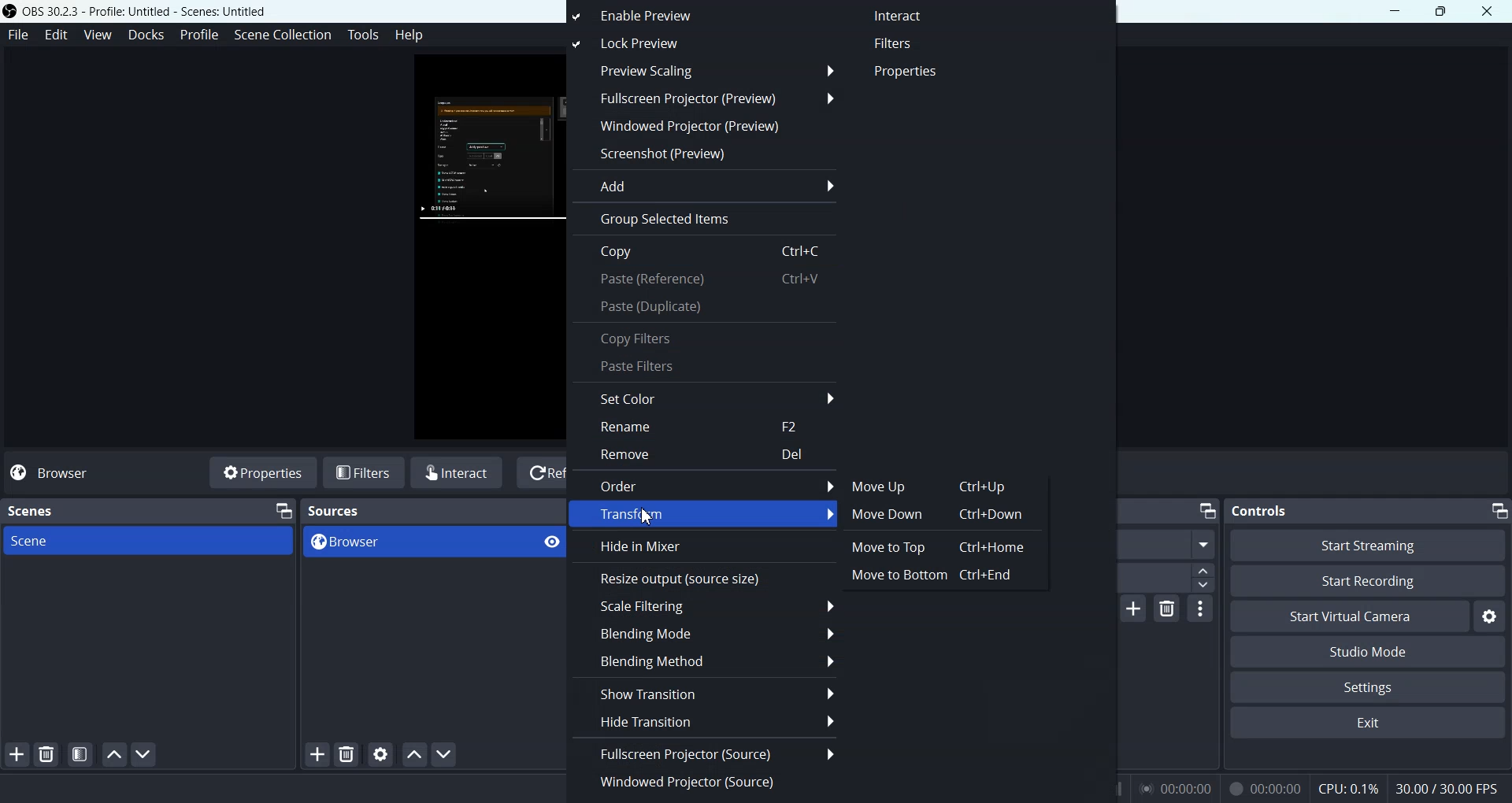 The width and height of the screenshot is (1512, 803). I want to click on Remove configurable transition, so click(1166, 609).